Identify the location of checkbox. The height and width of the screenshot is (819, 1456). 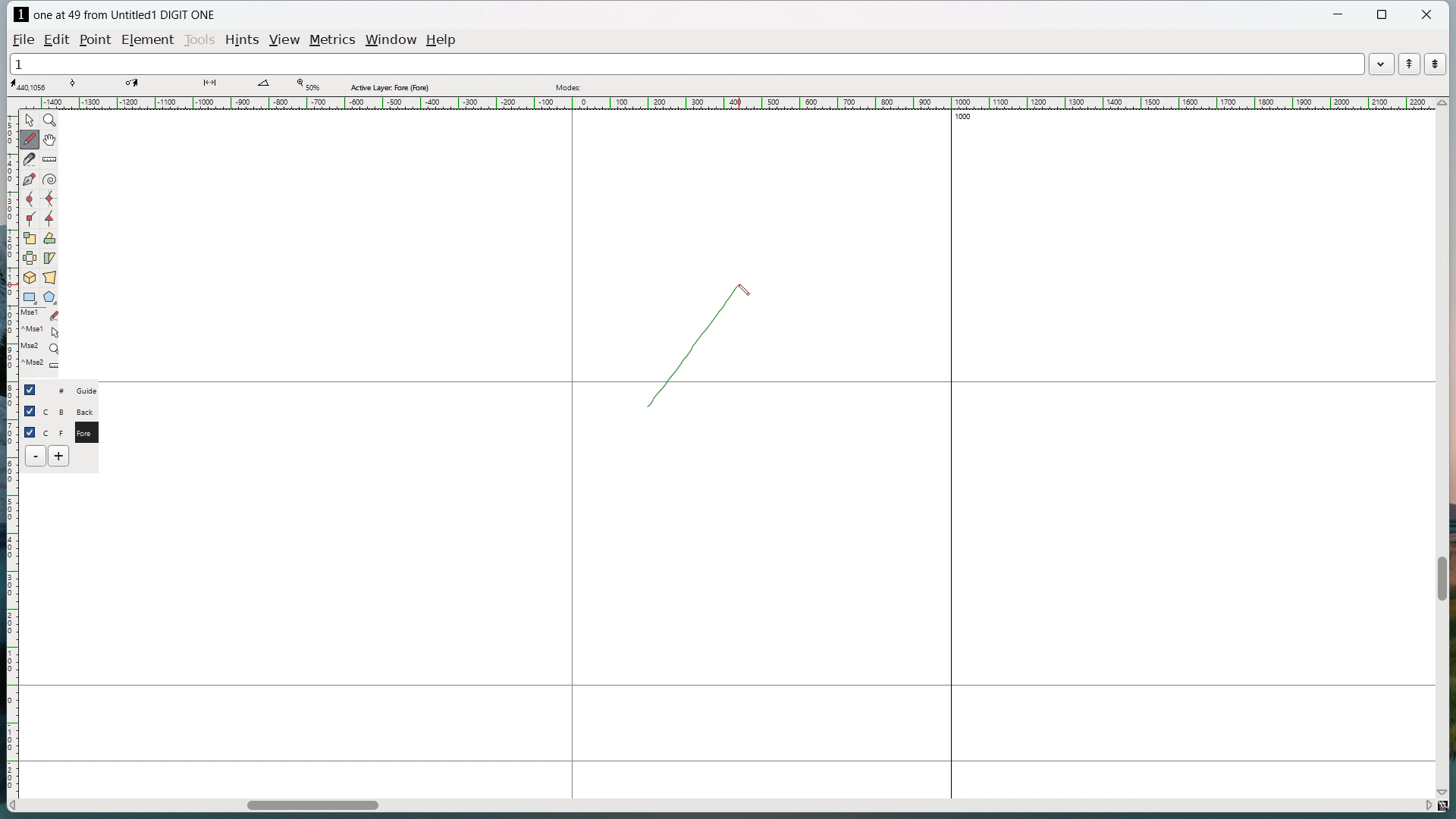
(30, 411).